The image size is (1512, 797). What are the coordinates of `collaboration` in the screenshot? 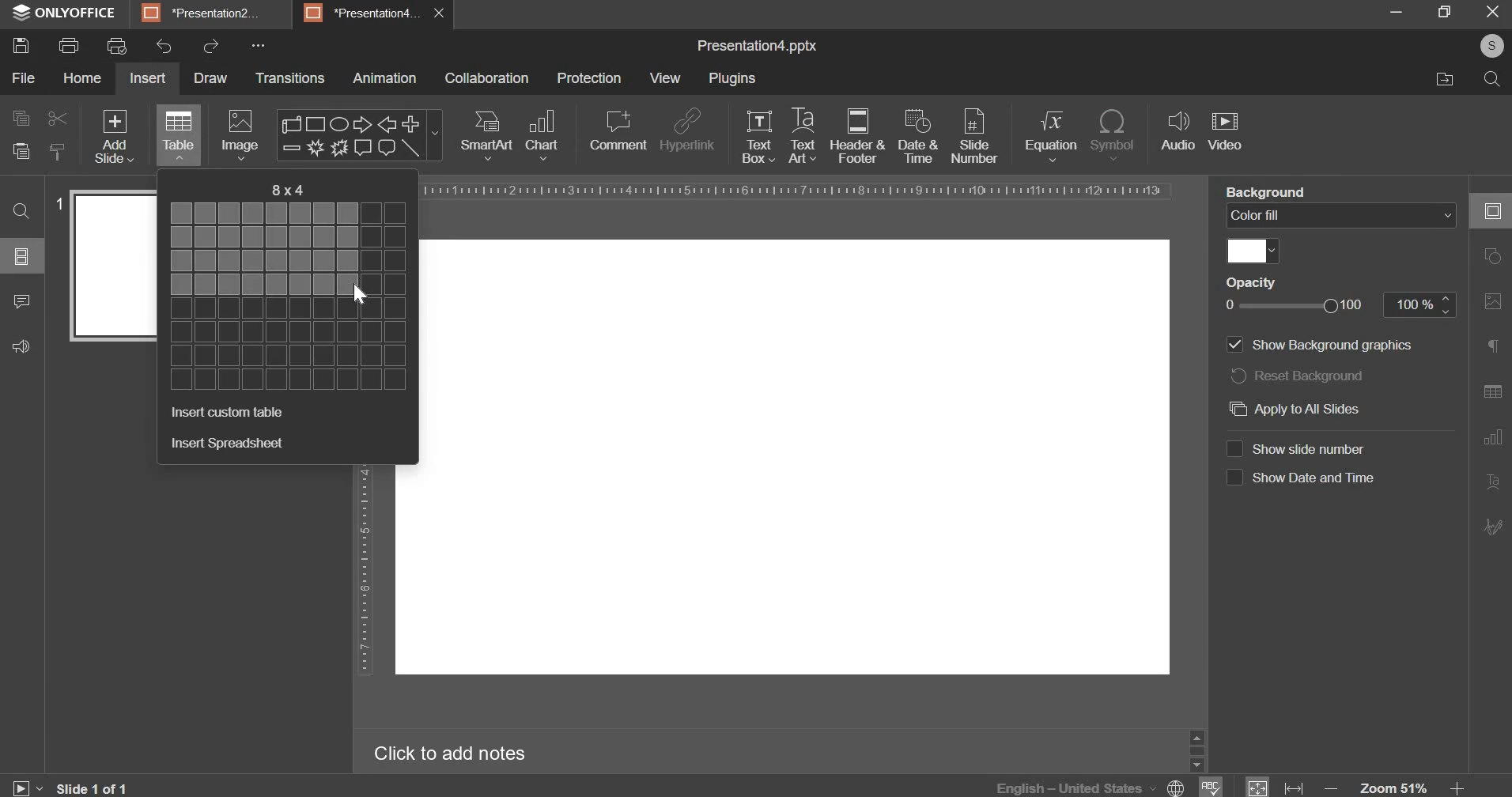 It's located at (487, 78).